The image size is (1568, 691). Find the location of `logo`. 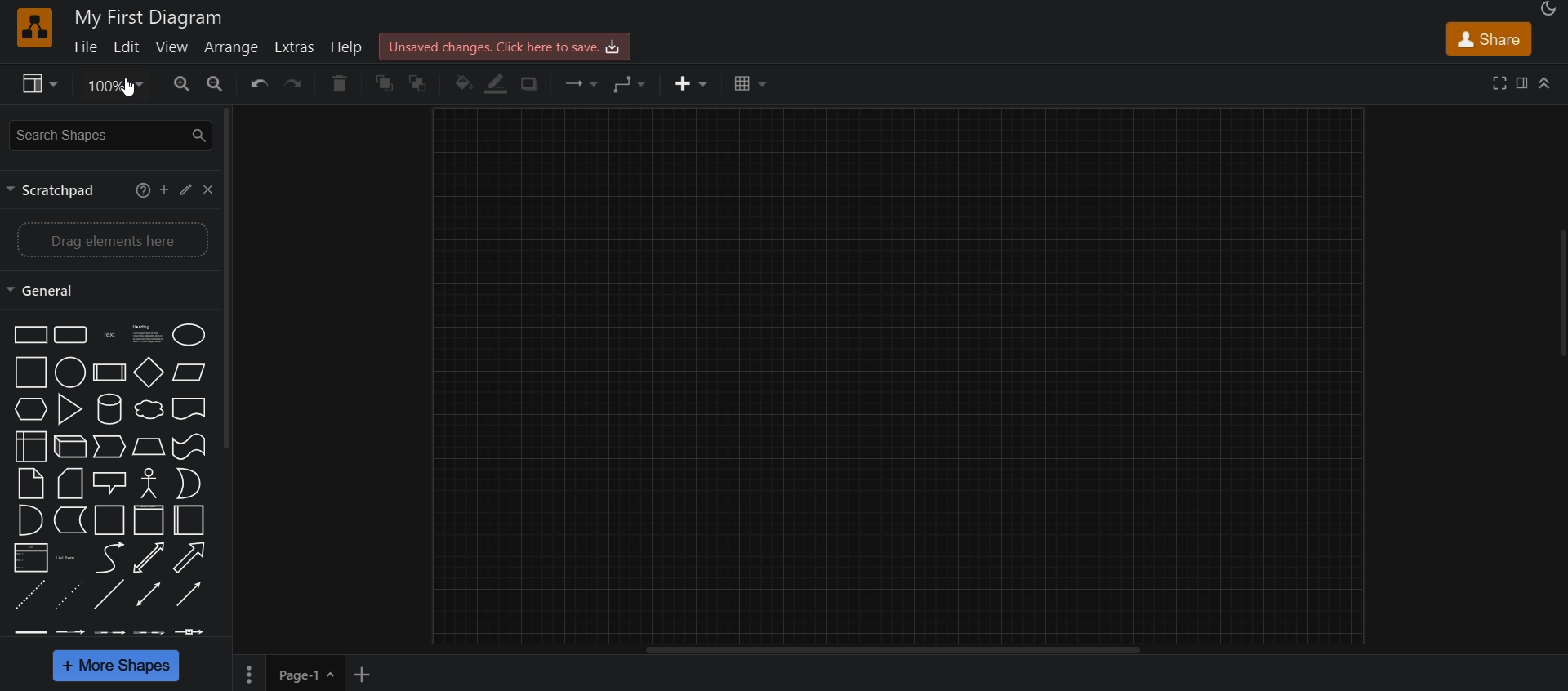

logo is located at coordinates (33, 29).